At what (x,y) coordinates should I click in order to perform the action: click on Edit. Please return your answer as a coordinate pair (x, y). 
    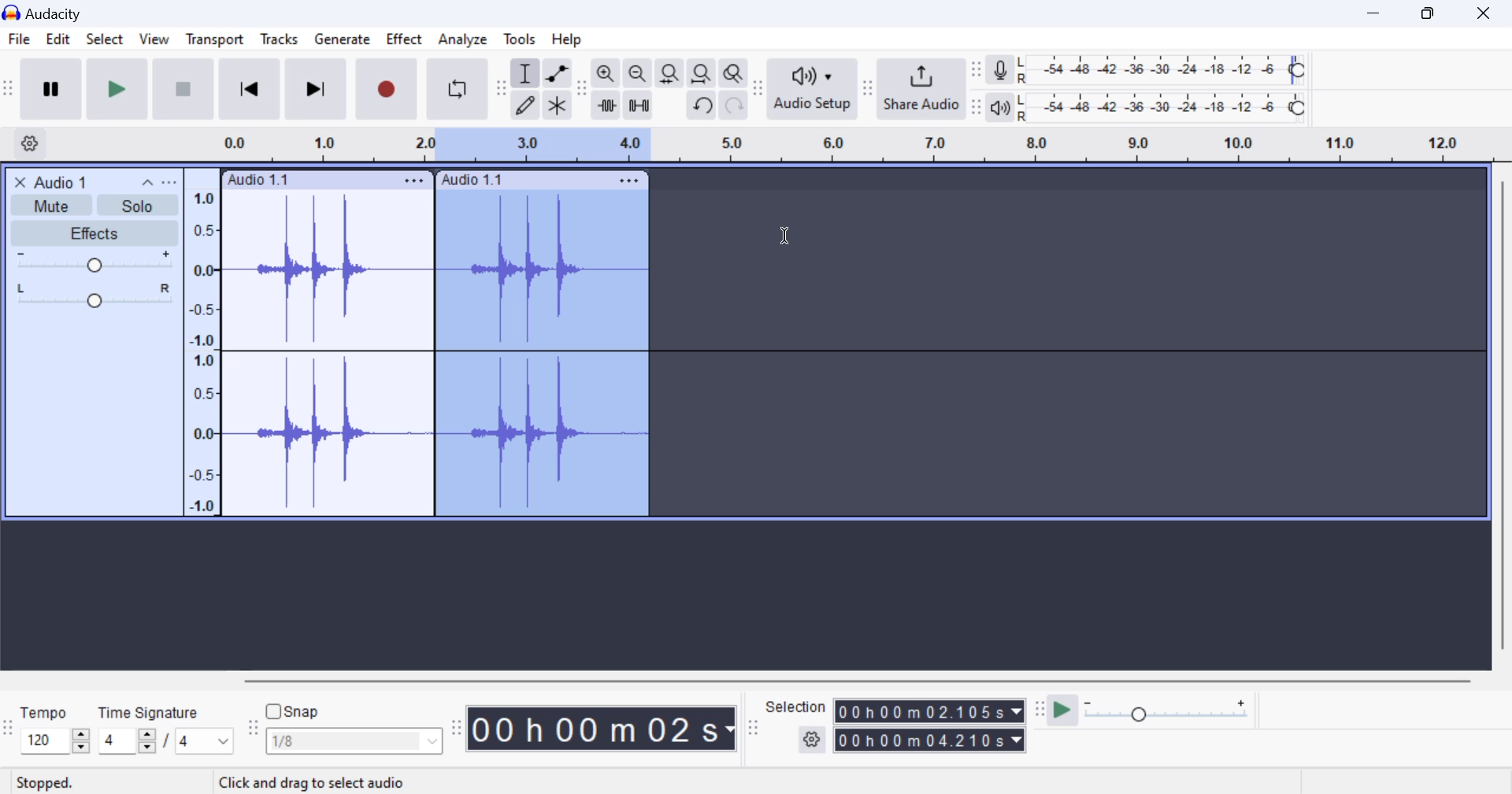
    Looking at the image, I should click on (57, 42).